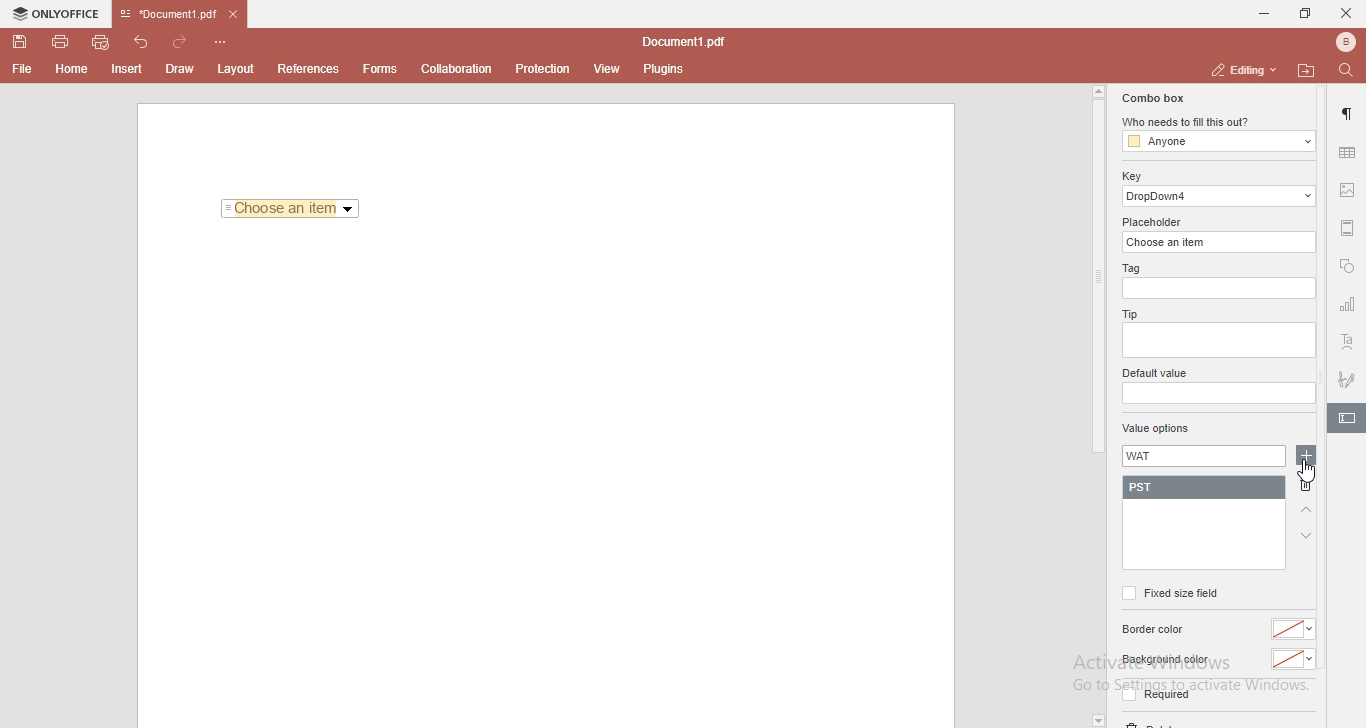 This screenshot has height=728, width=1366. I want to click on image, so click(1349, 192).